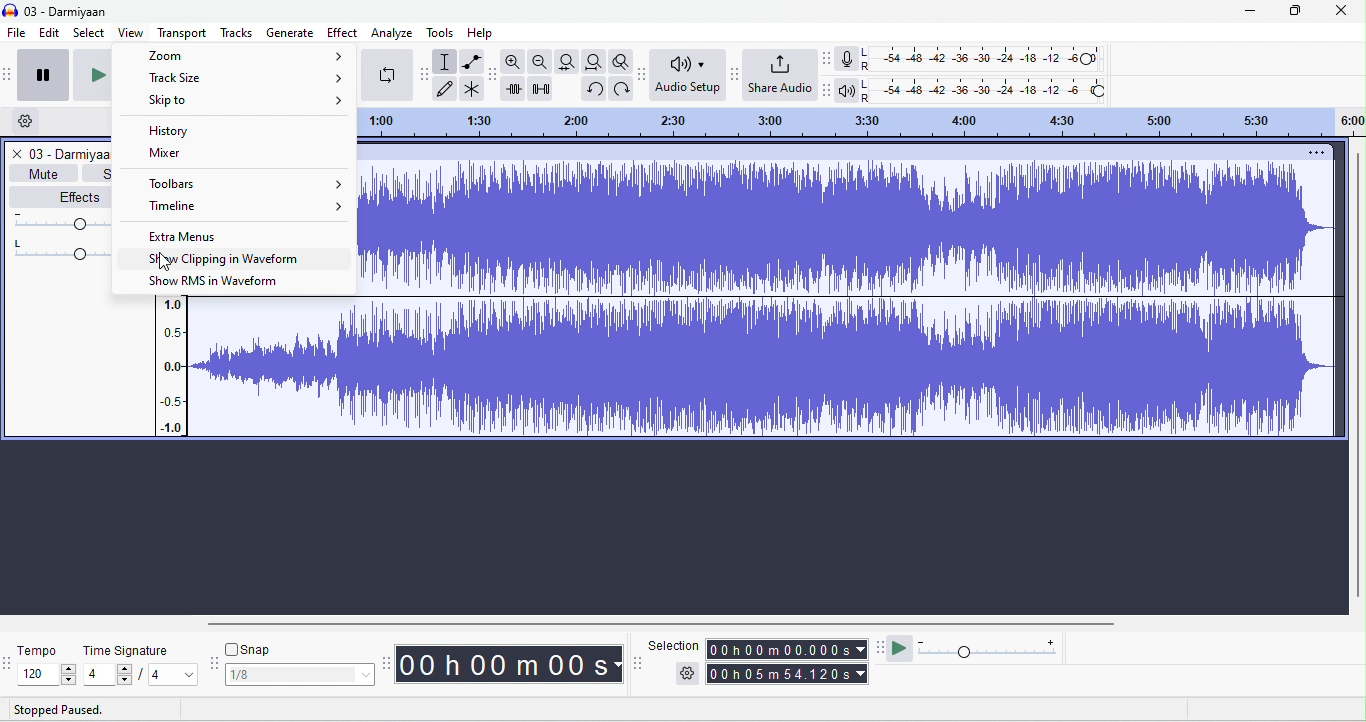  Describe the element at coordinates (788, 674) in the screenshot. I see `total time` at that location.